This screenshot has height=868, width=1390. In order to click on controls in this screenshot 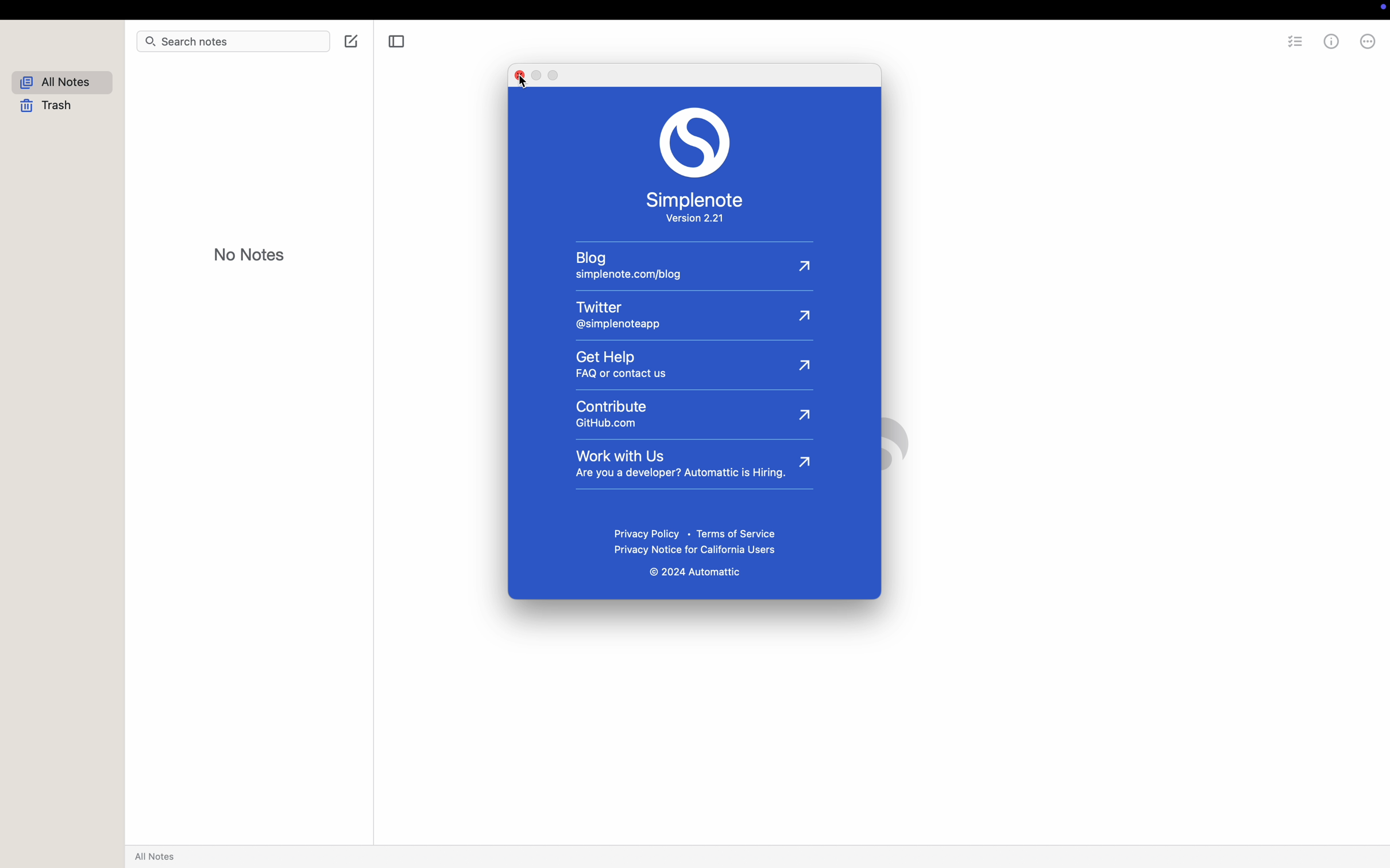, I will do `click(1265, 10)`.